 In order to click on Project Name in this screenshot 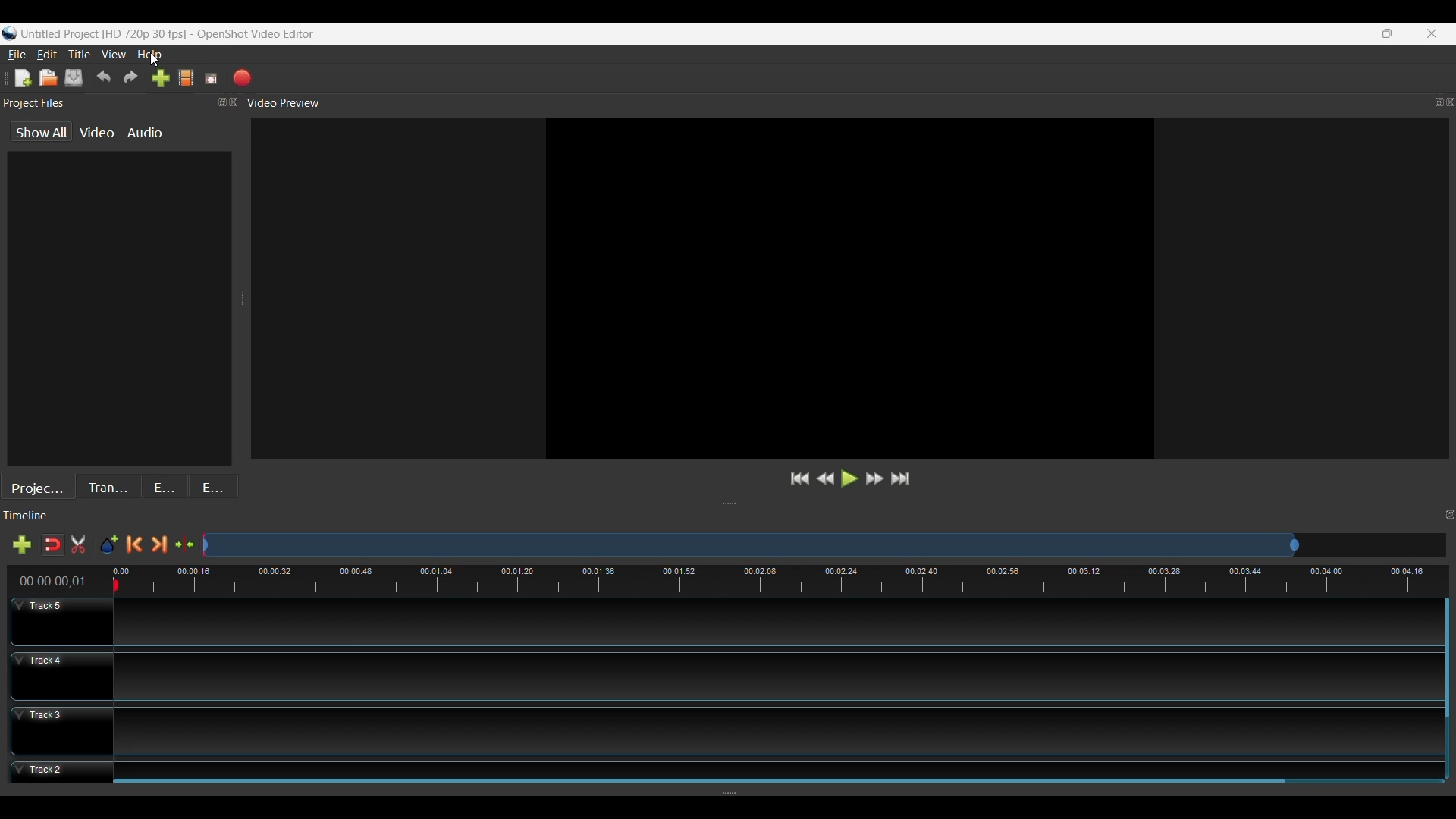, I will do `click(104, 35)`.